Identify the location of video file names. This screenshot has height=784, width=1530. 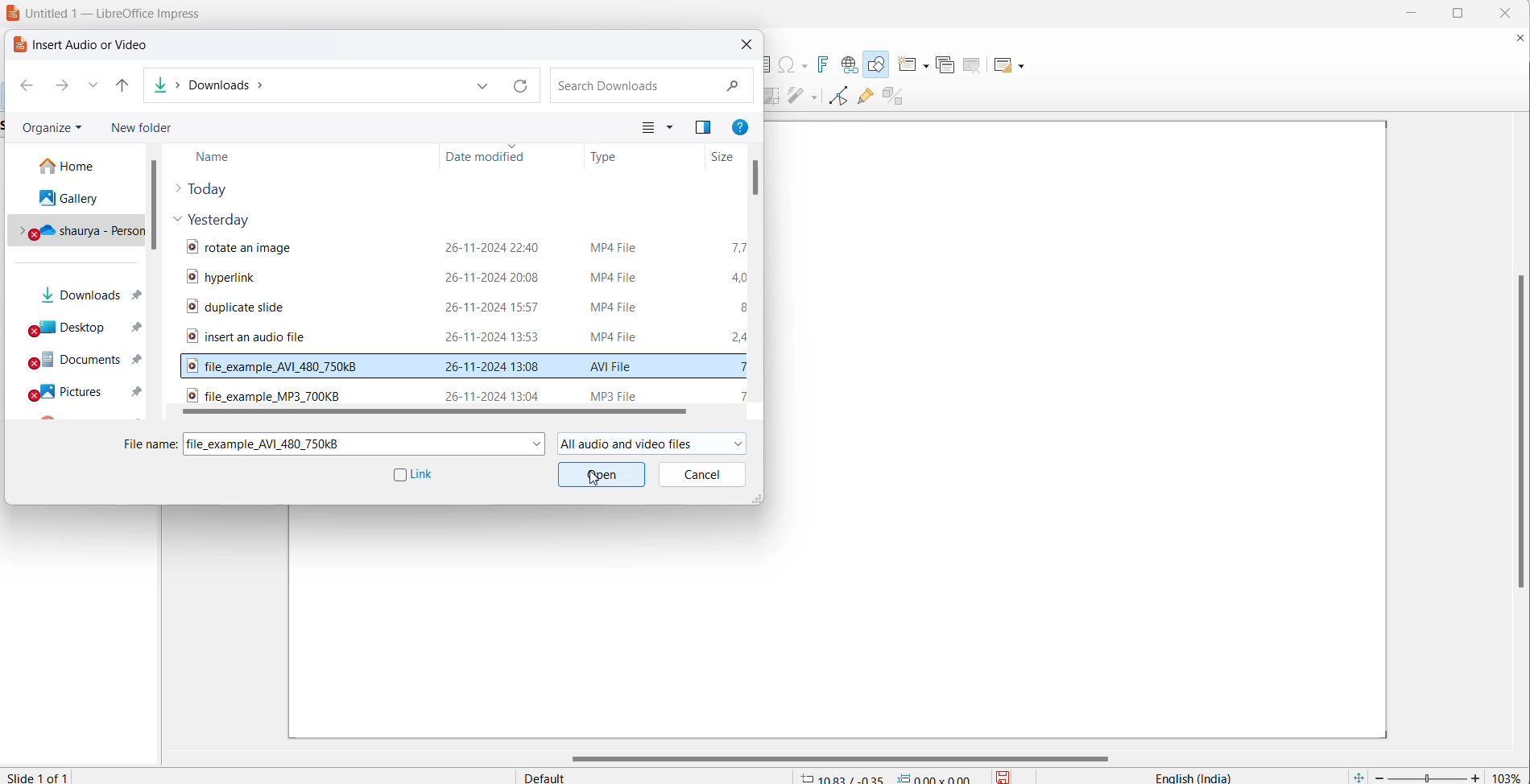
(284, 291).